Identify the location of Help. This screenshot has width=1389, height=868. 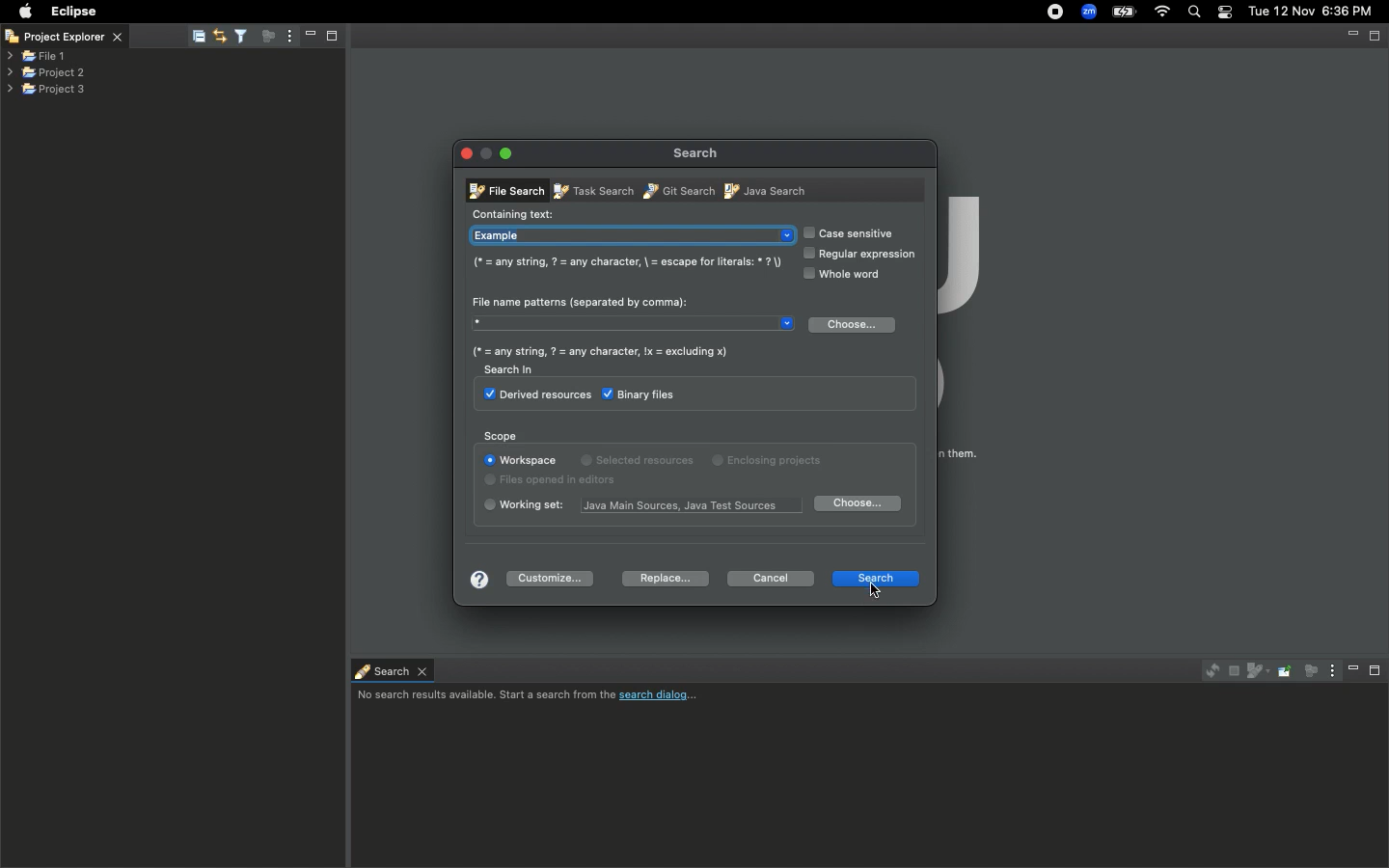
(479, 579).